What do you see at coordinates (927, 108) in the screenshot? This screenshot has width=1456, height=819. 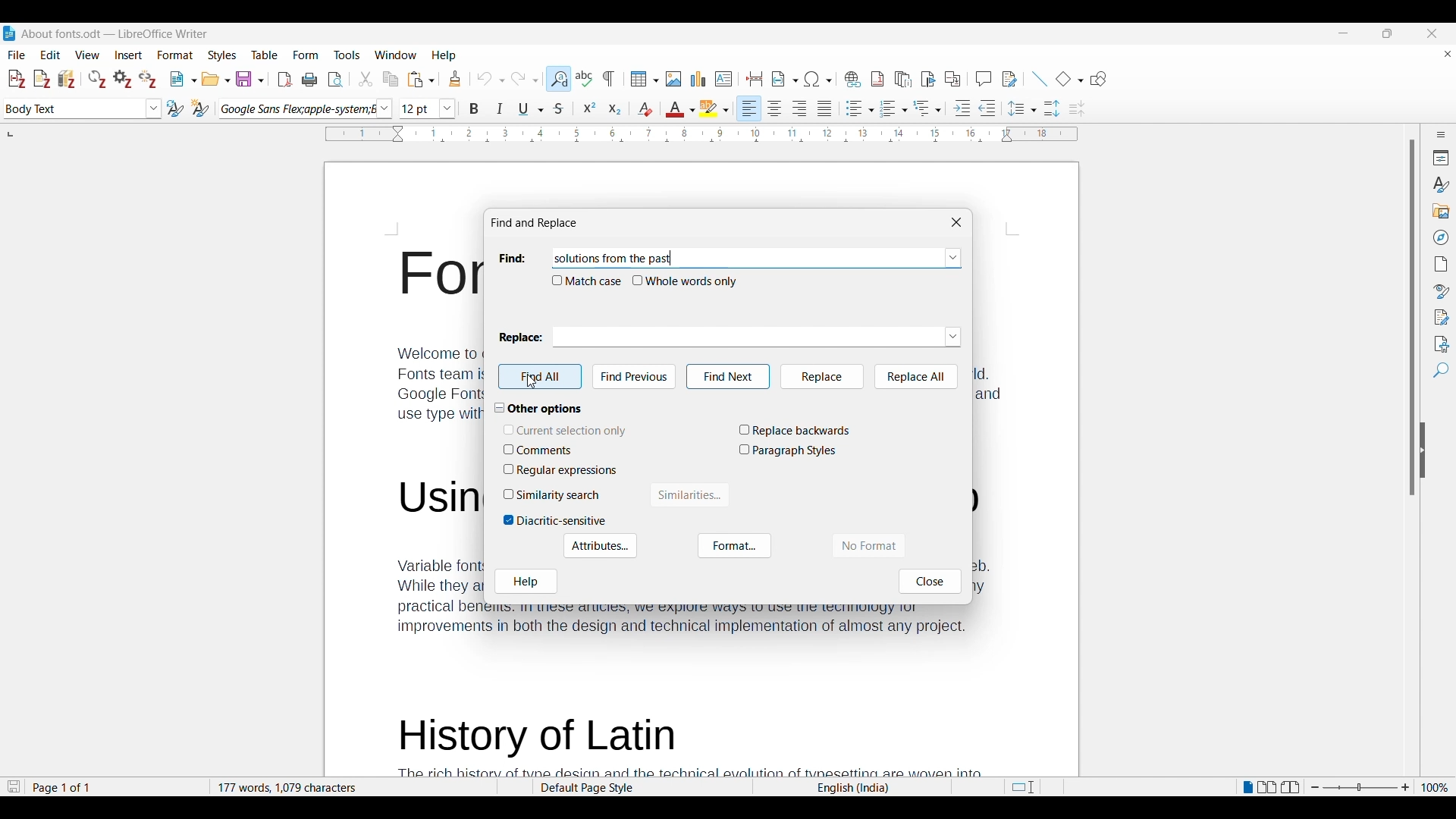 I see `Select outline format options` at bounding box center [927, 108].